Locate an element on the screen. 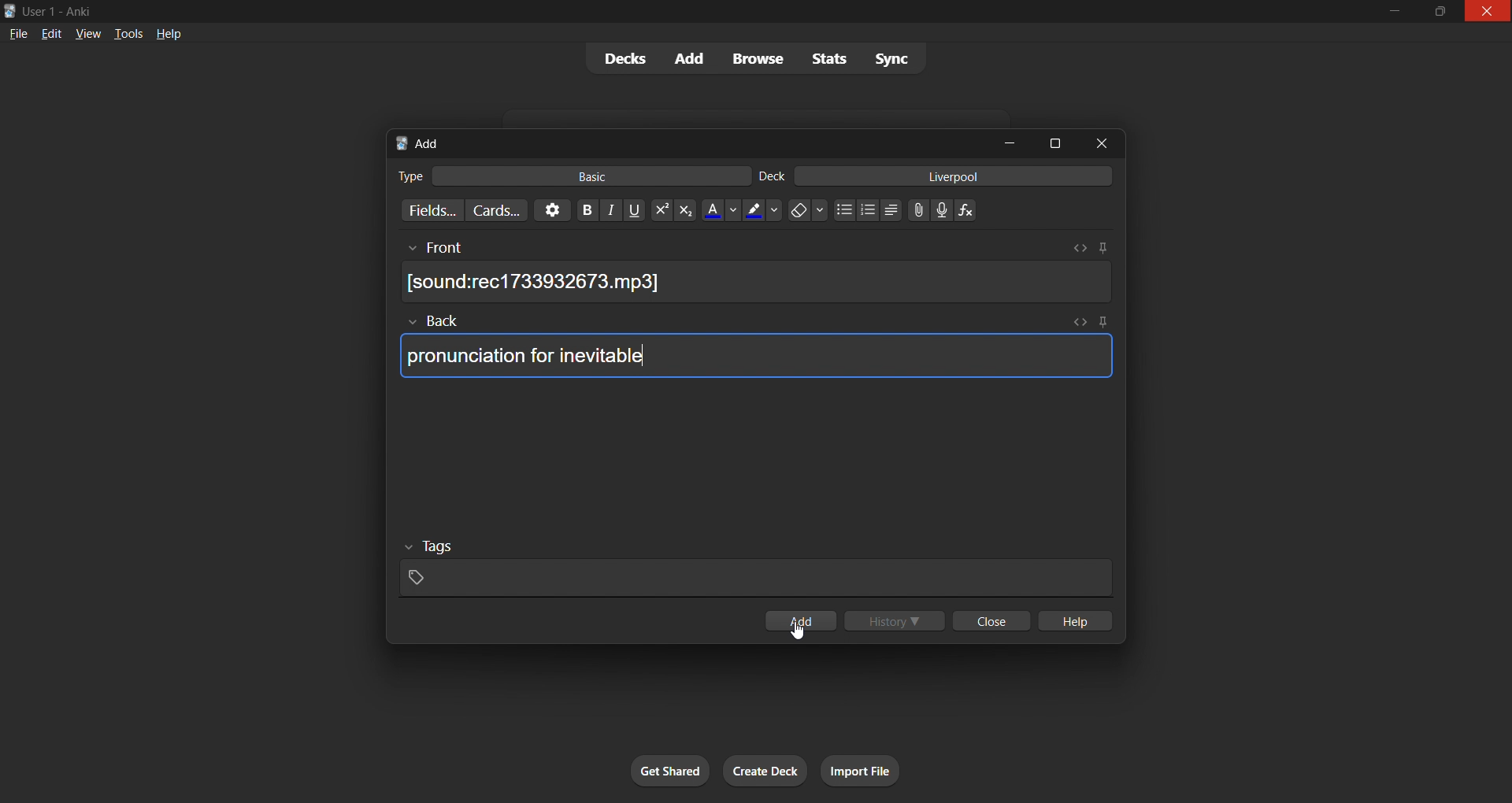 The height and width of the screenshot is (803, 1512). superscript is located at coordinates (658, 209).